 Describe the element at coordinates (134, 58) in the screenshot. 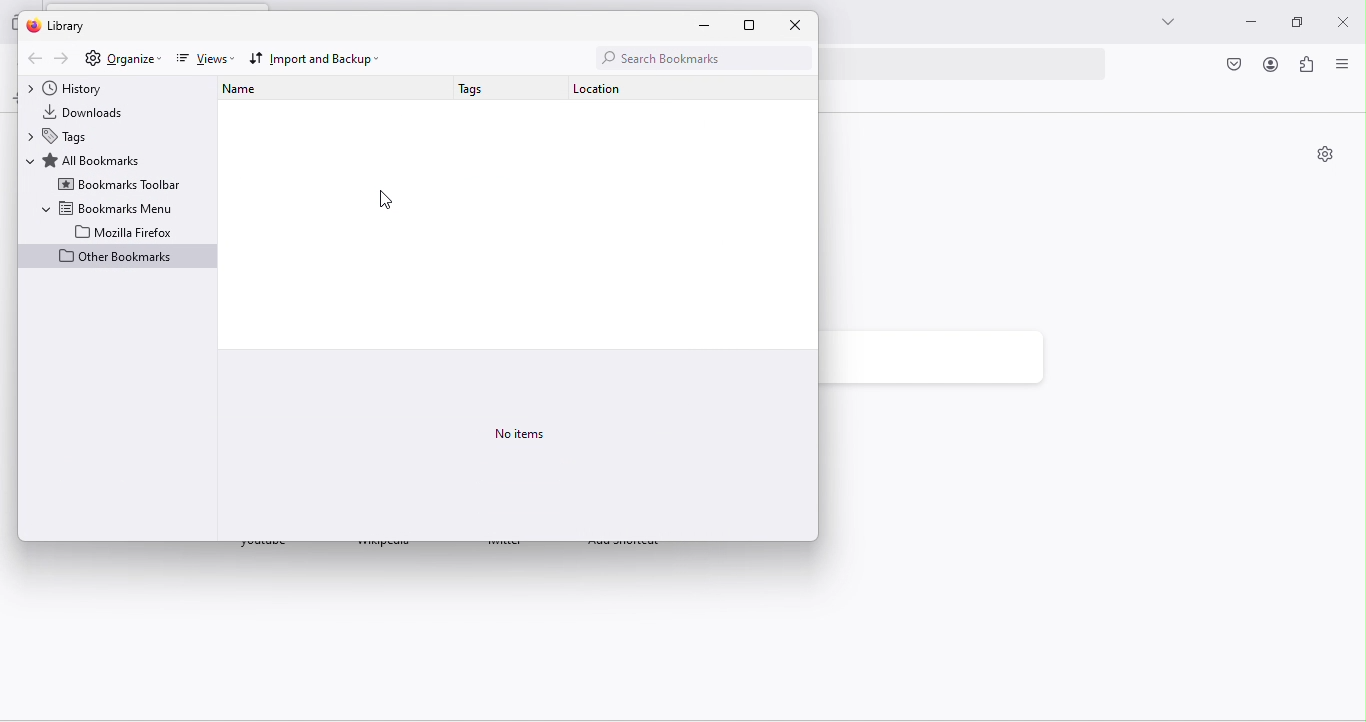

I see `organize` at that location.